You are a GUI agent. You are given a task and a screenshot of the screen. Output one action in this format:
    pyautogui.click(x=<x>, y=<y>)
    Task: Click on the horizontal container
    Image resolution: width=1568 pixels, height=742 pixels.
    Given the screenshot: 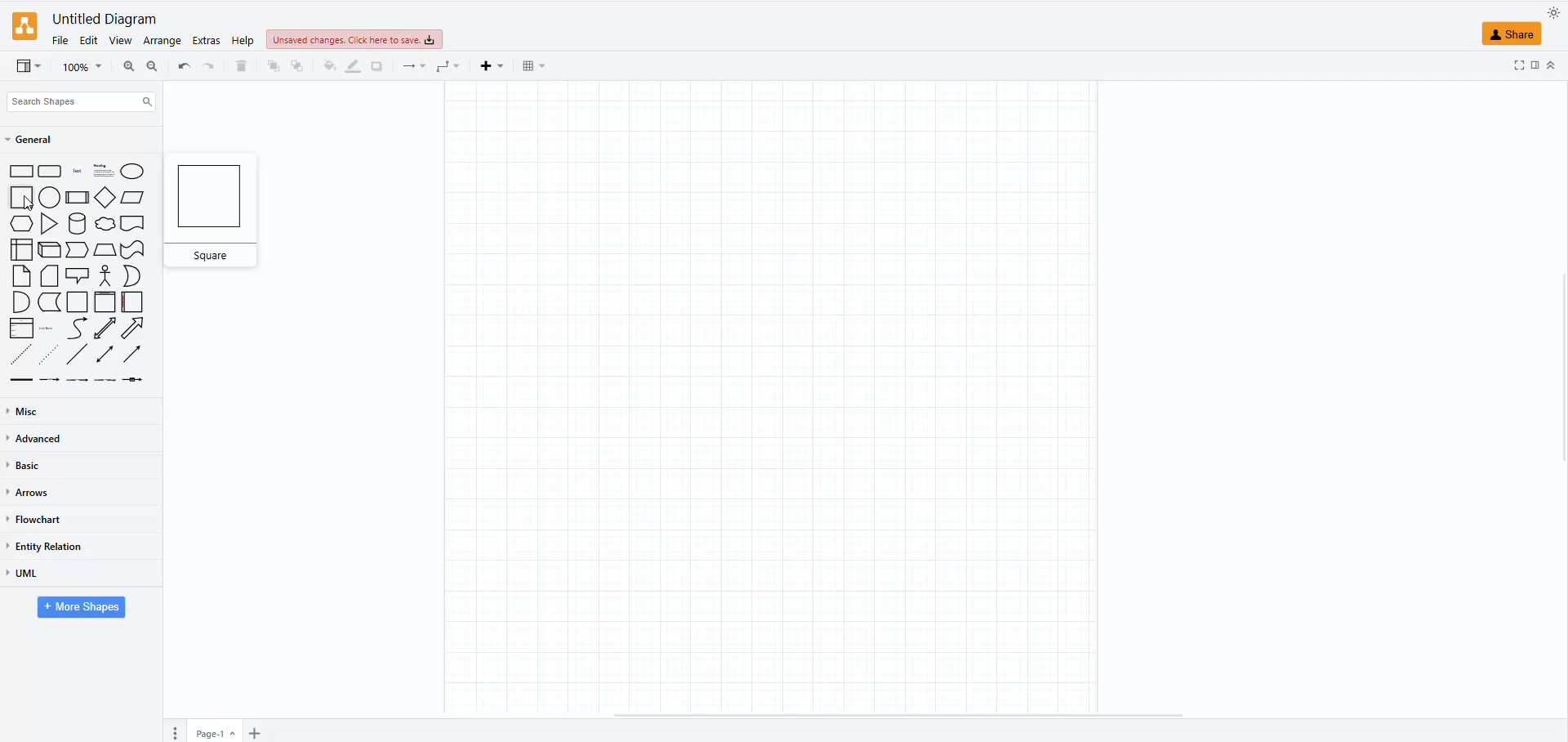 What is the action you would take?
    pyautogui.click(x=131, y=302)
    